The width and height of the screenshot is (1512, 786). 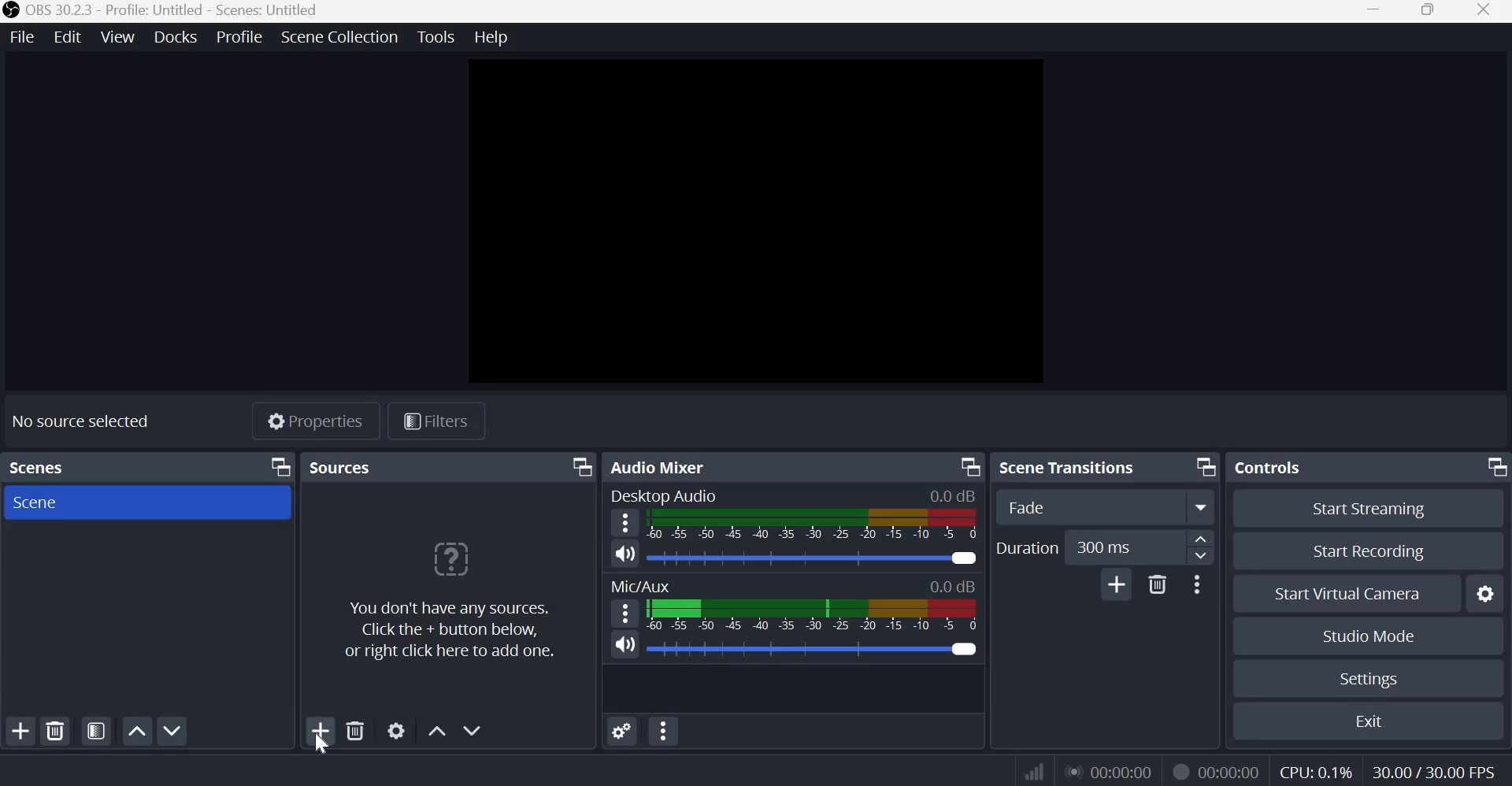 What do you see at coordinates (119, 36) in the screenshot?
I see `View` at bounding box center [119, 36].